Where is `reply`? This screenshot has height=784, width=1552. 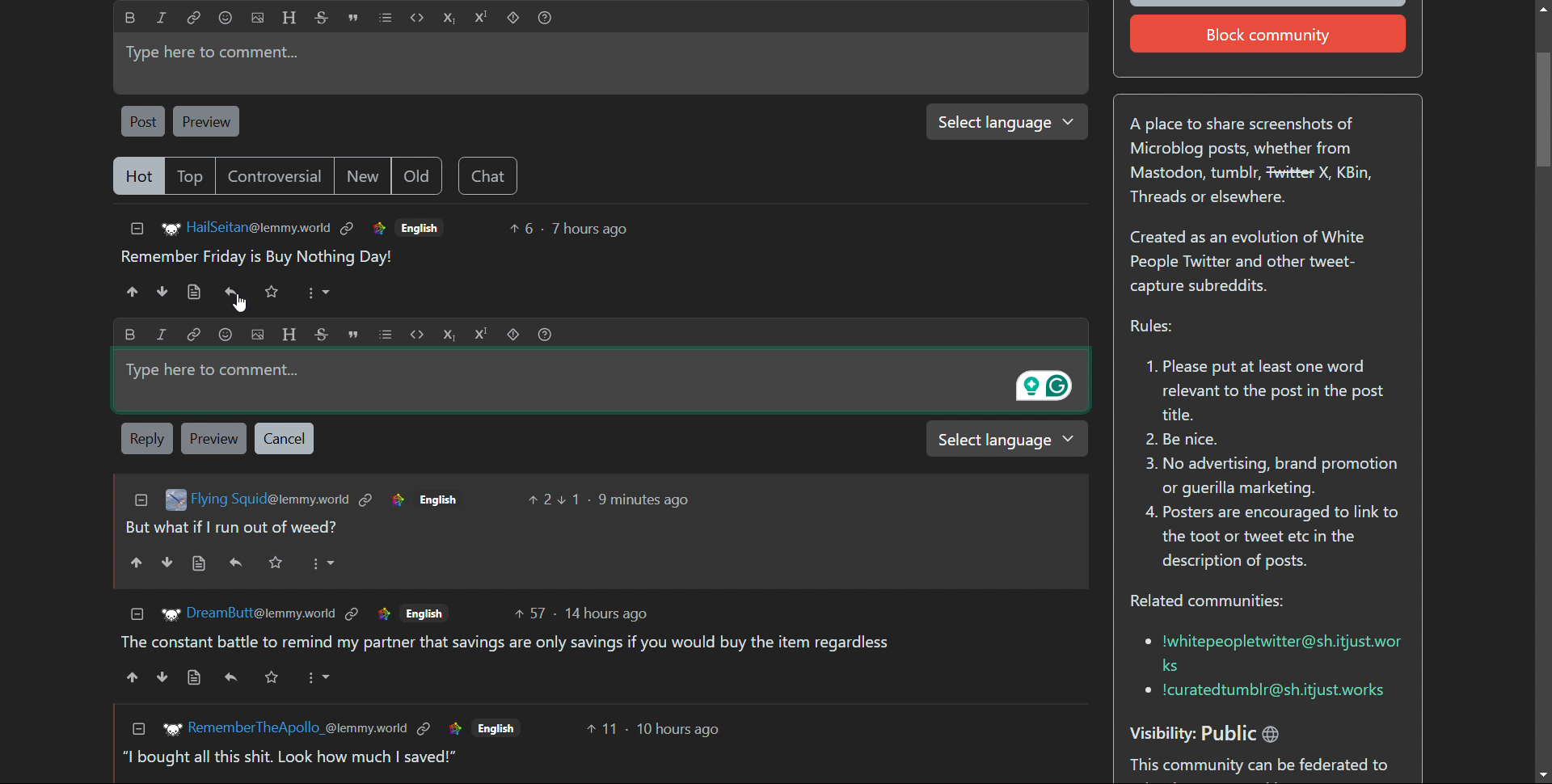 reply is located at coordinates (235, 561).